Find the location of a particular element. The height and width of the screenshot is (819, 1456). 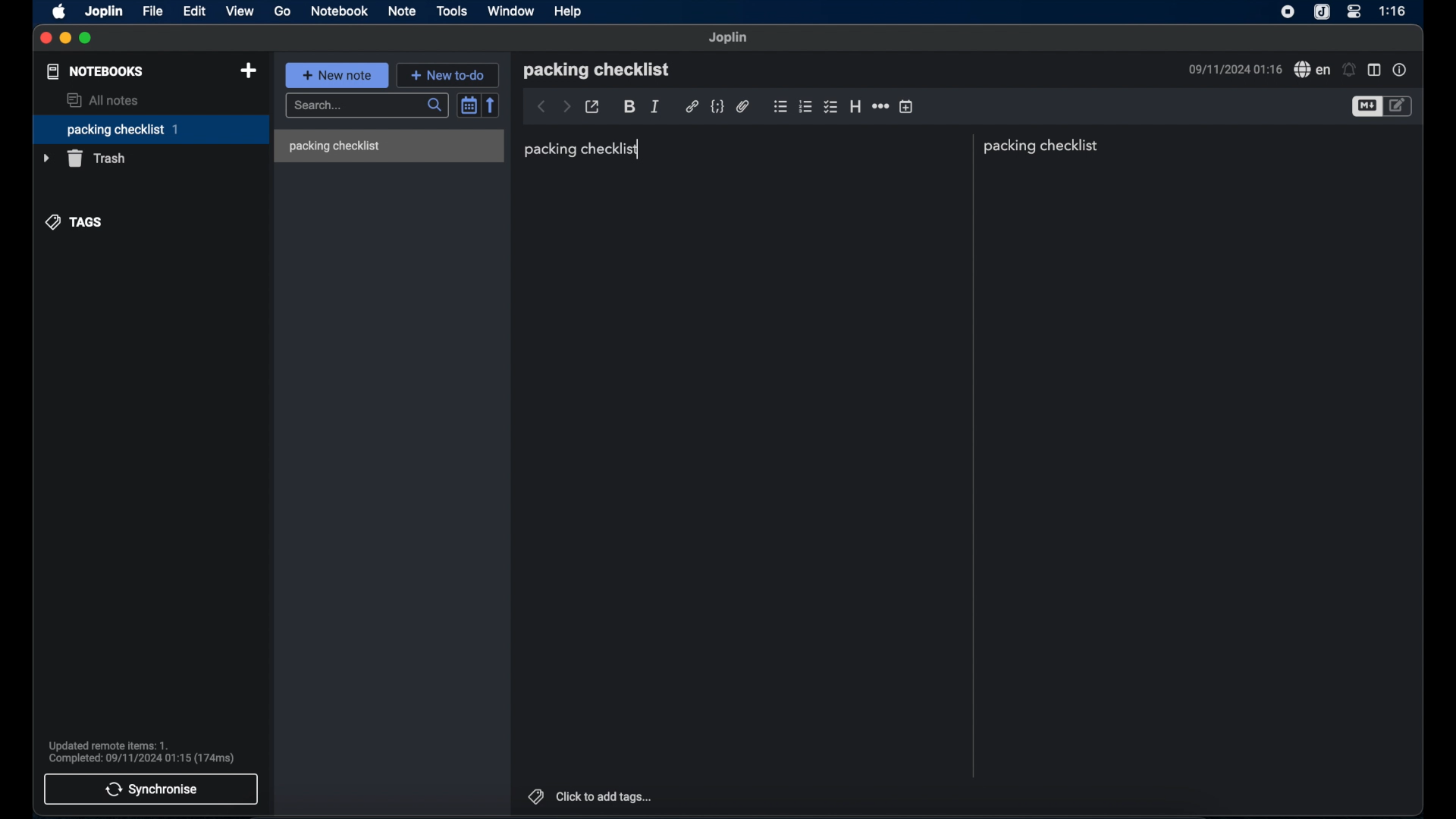

search bar is located at coordinates (366, 105).